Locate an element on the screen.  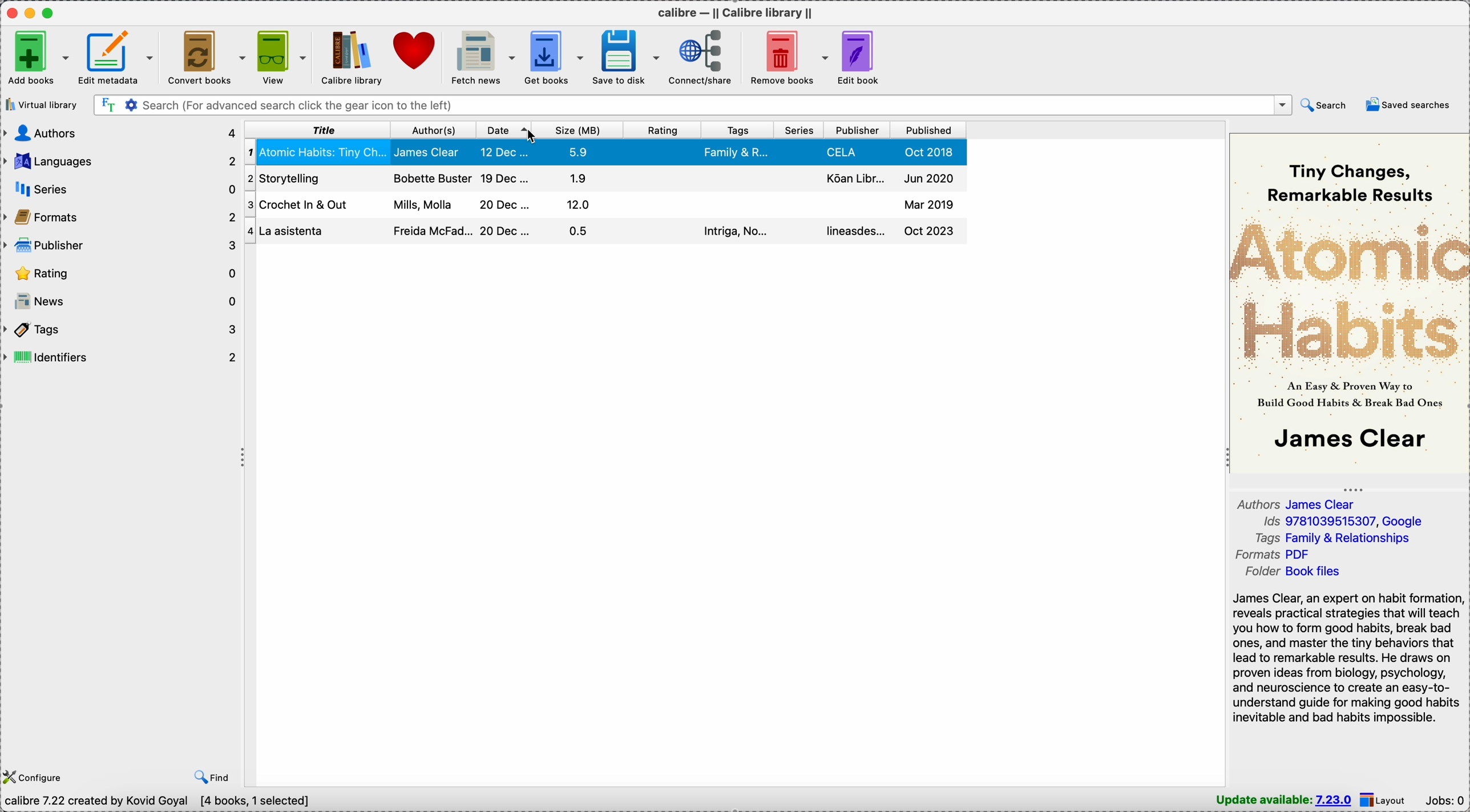
layout is located at coordinates (1386, 801).